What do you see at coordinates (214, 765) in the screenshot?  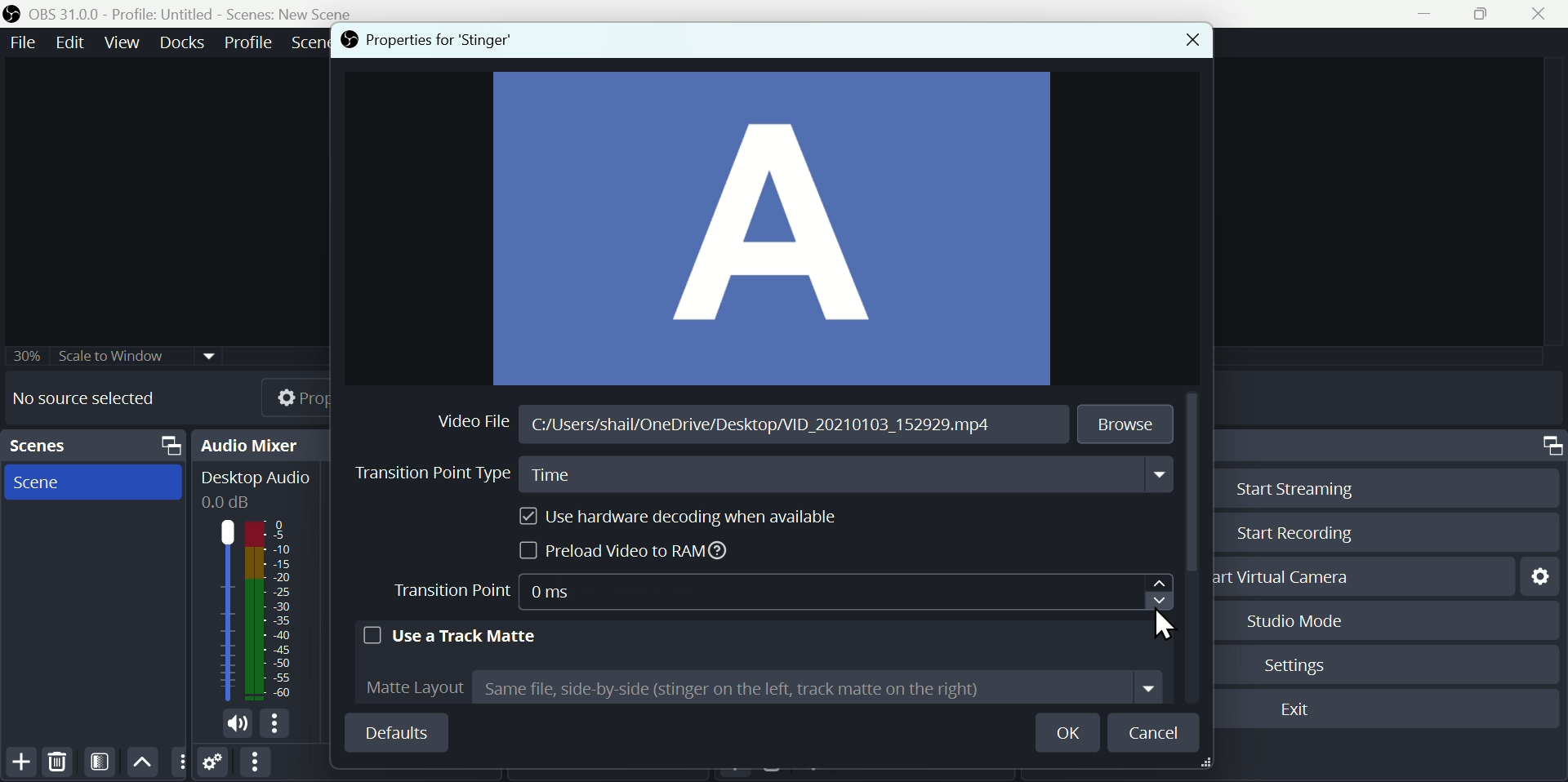 I see `Settings` at bounding box center [214, 765].